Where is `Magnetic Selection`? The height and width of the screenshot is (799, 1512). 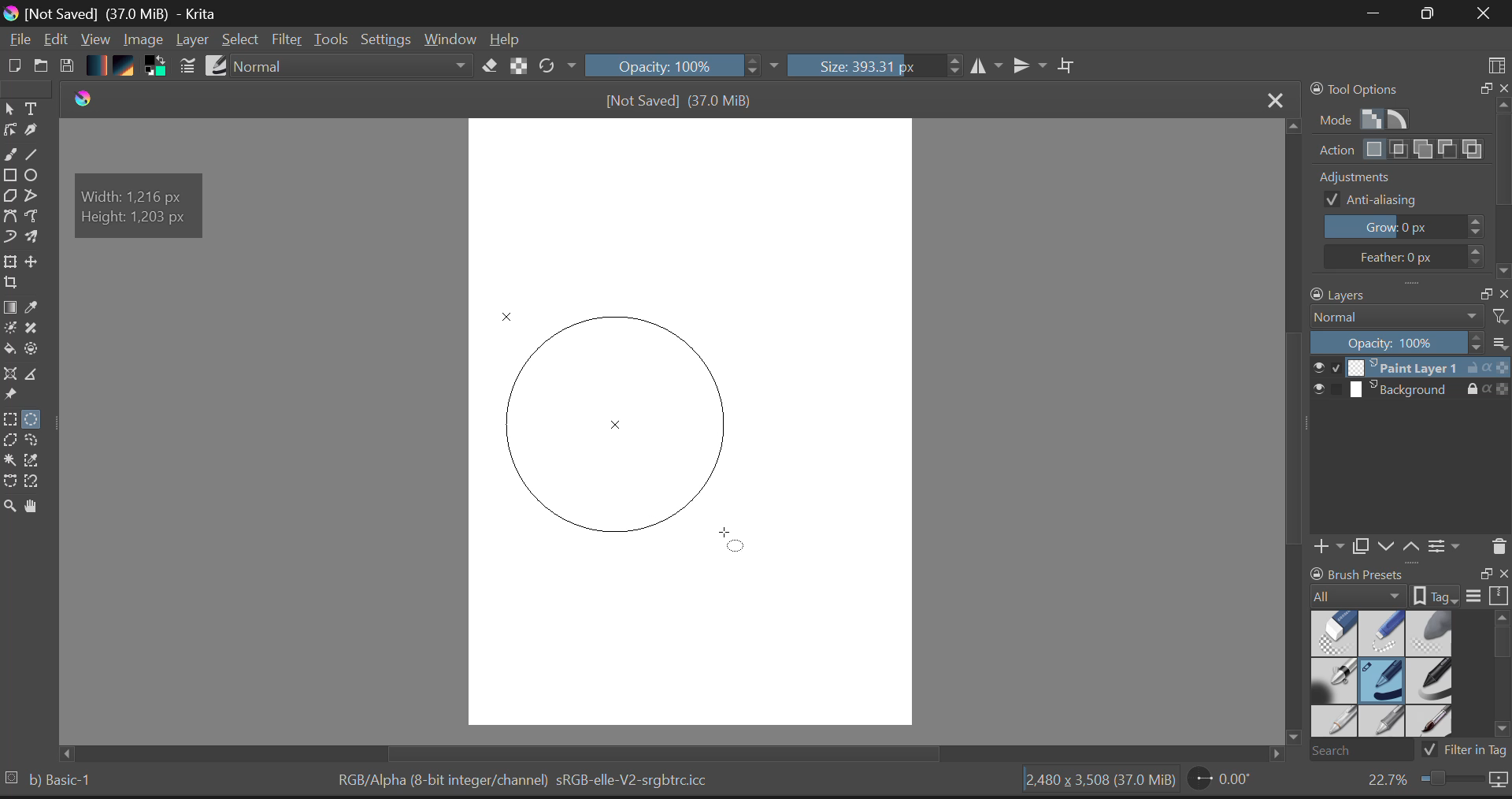 Magnetic Selection is located at coordinates (37, 483).